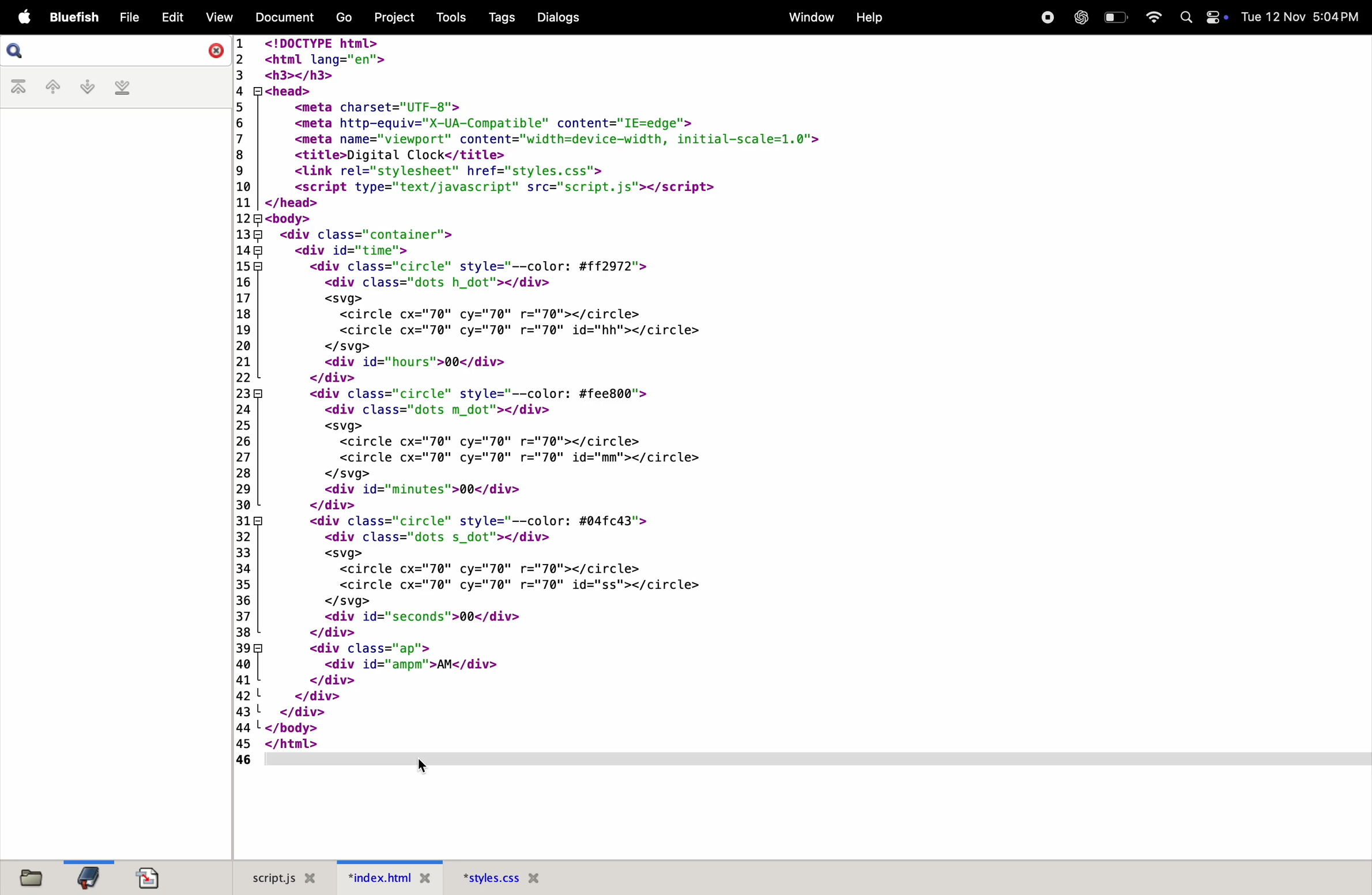 The image size is (1372, 895). Describe the element at coordinates (86, 86) in the screenshot. I see `nextbook mark` at that location.